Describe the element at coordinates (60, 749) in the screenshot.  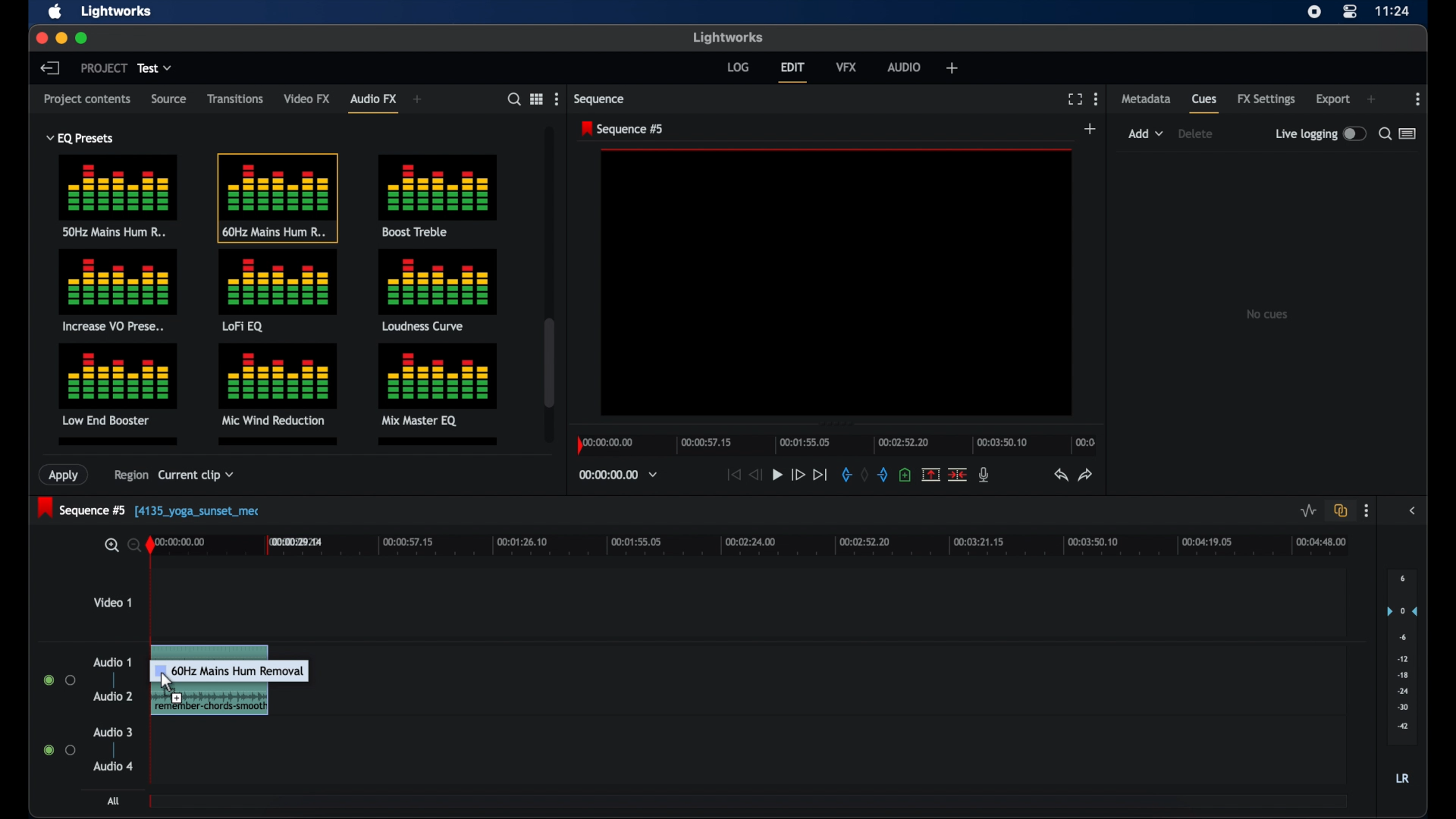
I see `radio button` at that location.